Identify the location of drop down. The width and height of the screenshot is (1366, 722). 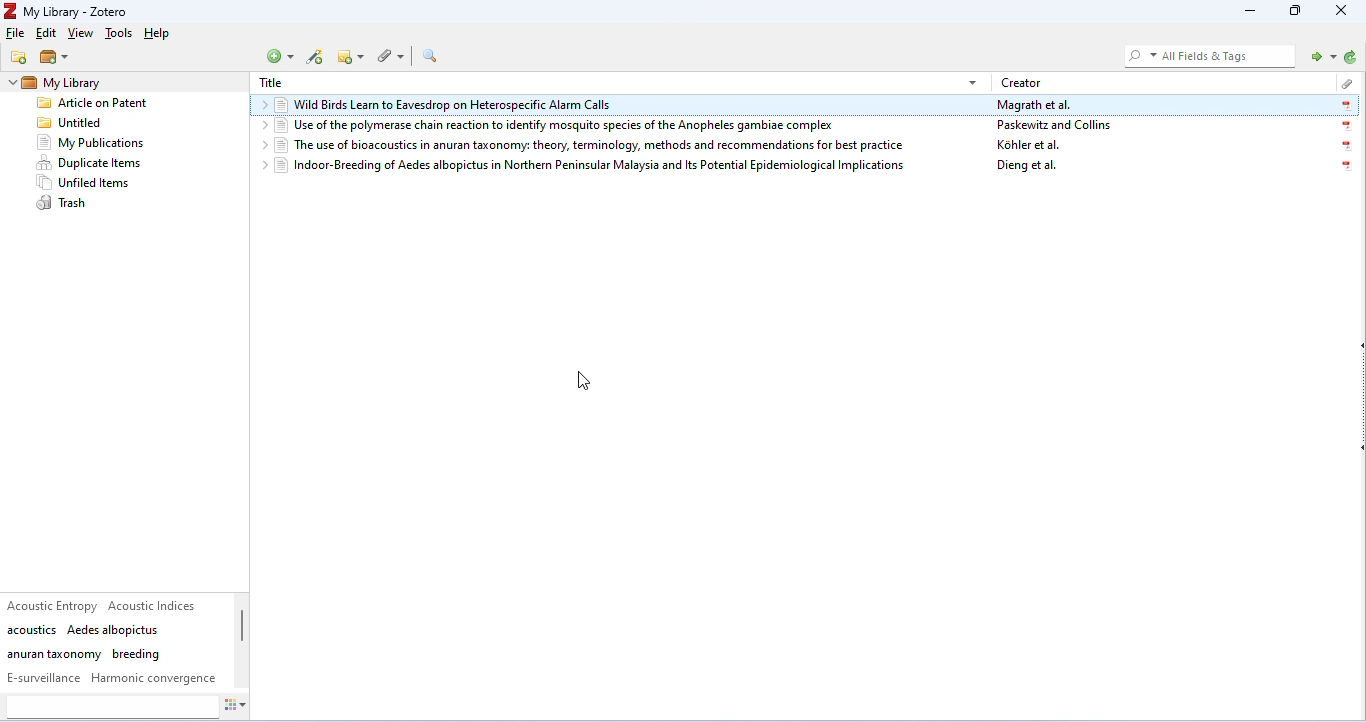
(260, 166).